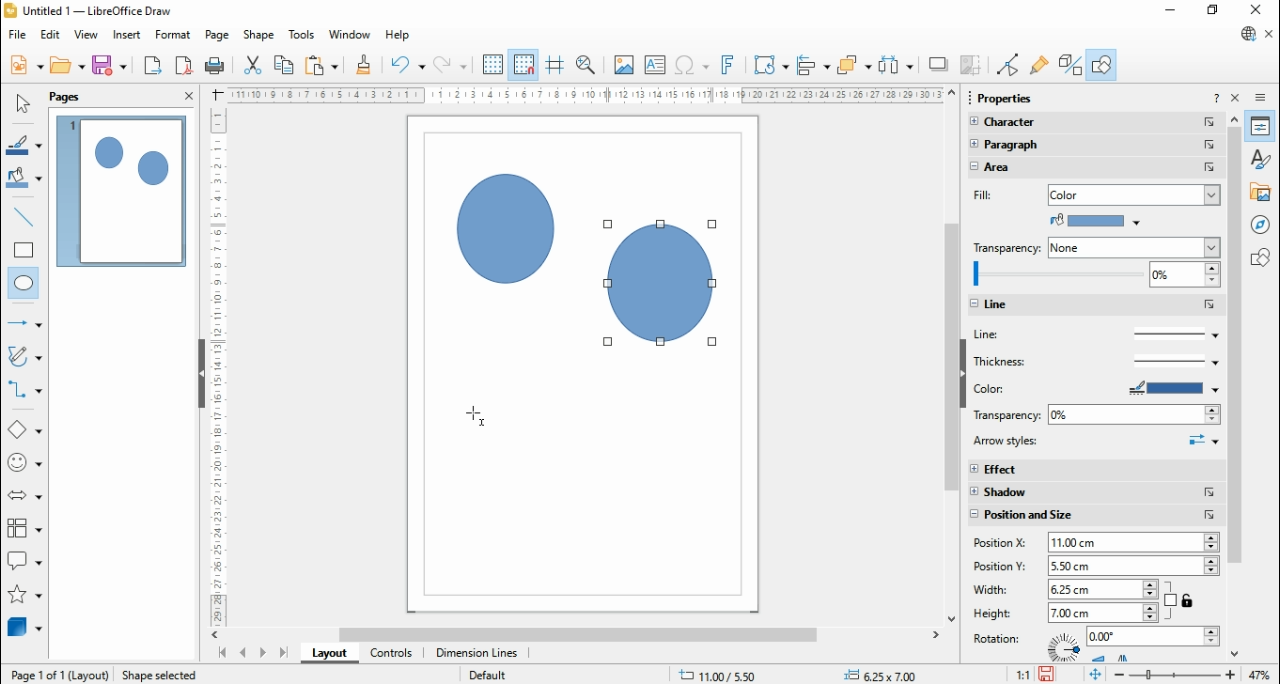  Describe the element at coordinates (1264, 224) in the screenshot. I see `navigator` at that location.